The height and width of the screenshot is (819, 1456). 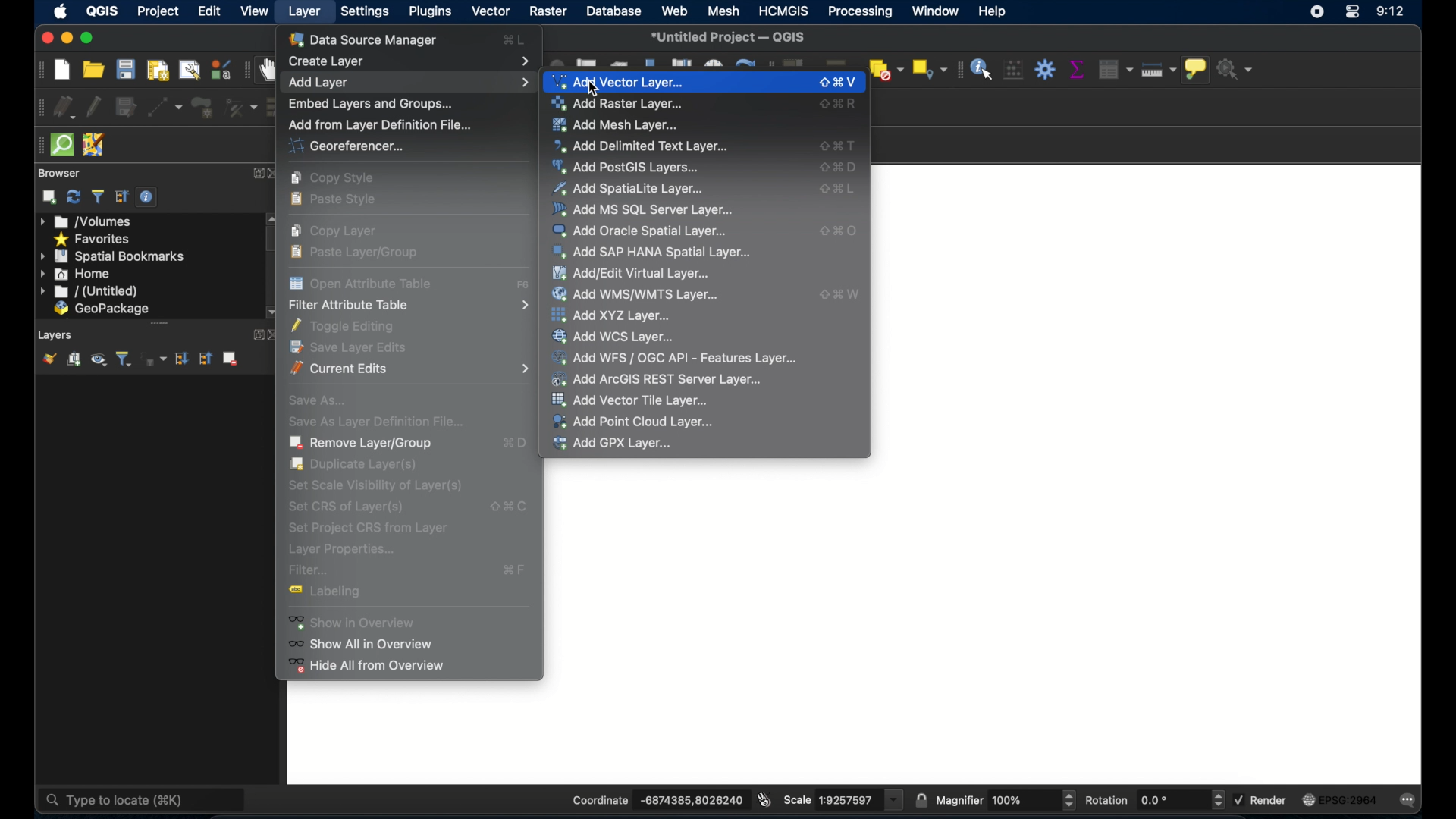 I want to click on Add MS SQL Server Layer..., so click(x=707, y=208).